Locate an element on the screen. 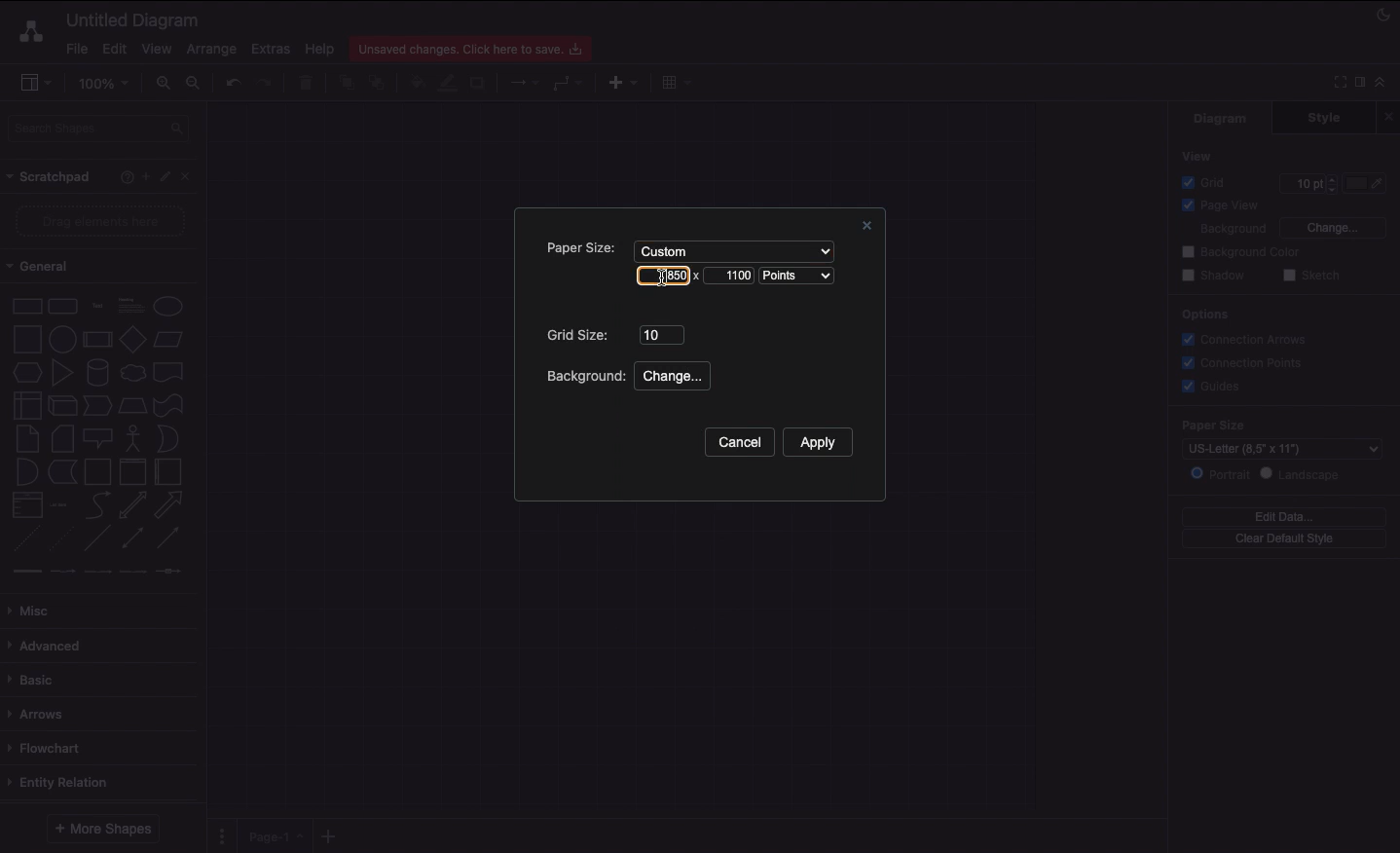 This screenshot has width=1400, height=853. Cancel is located at coordinates (738, 443).